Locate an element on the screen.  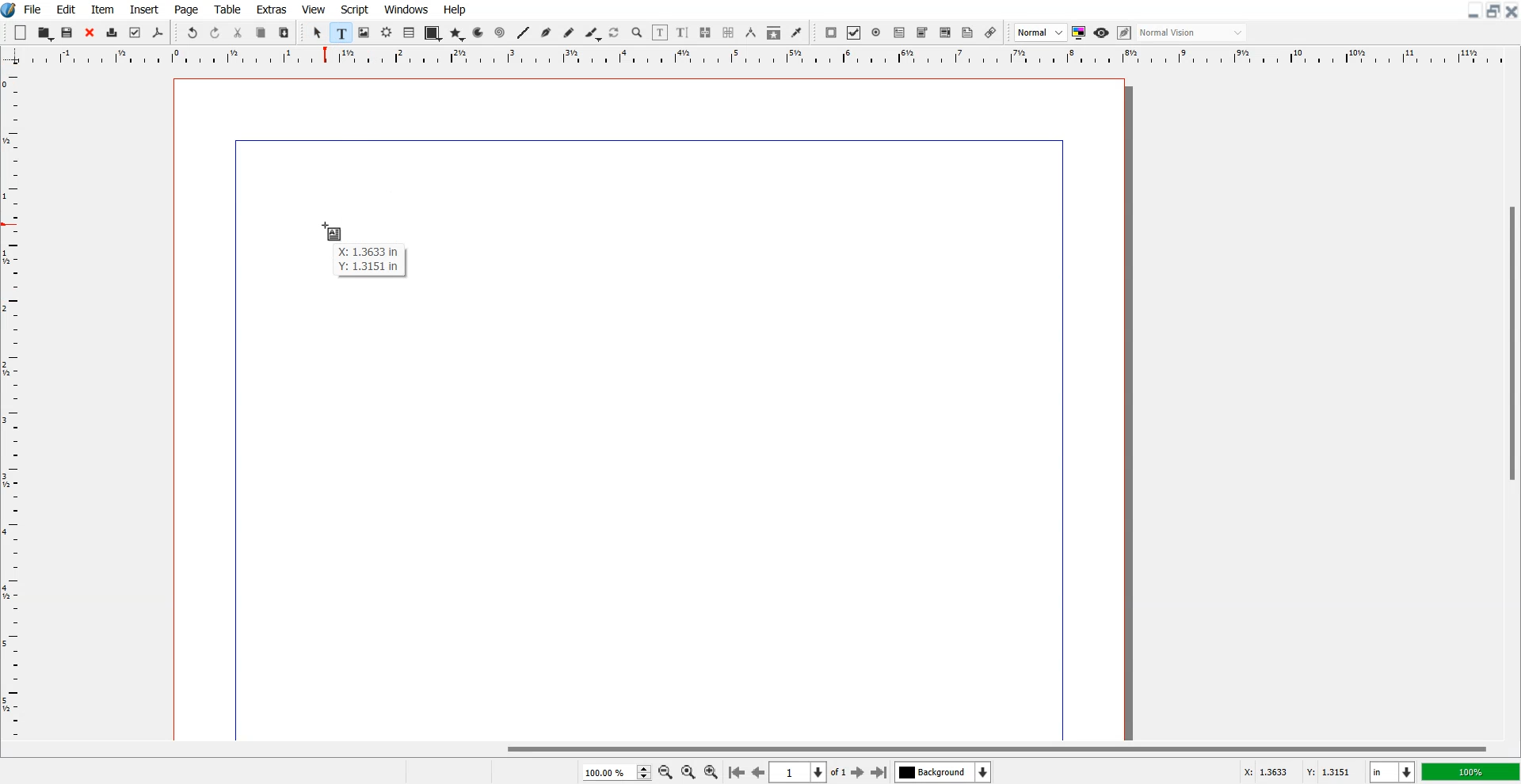
Freehand line  is located at coordinates (569, 33).